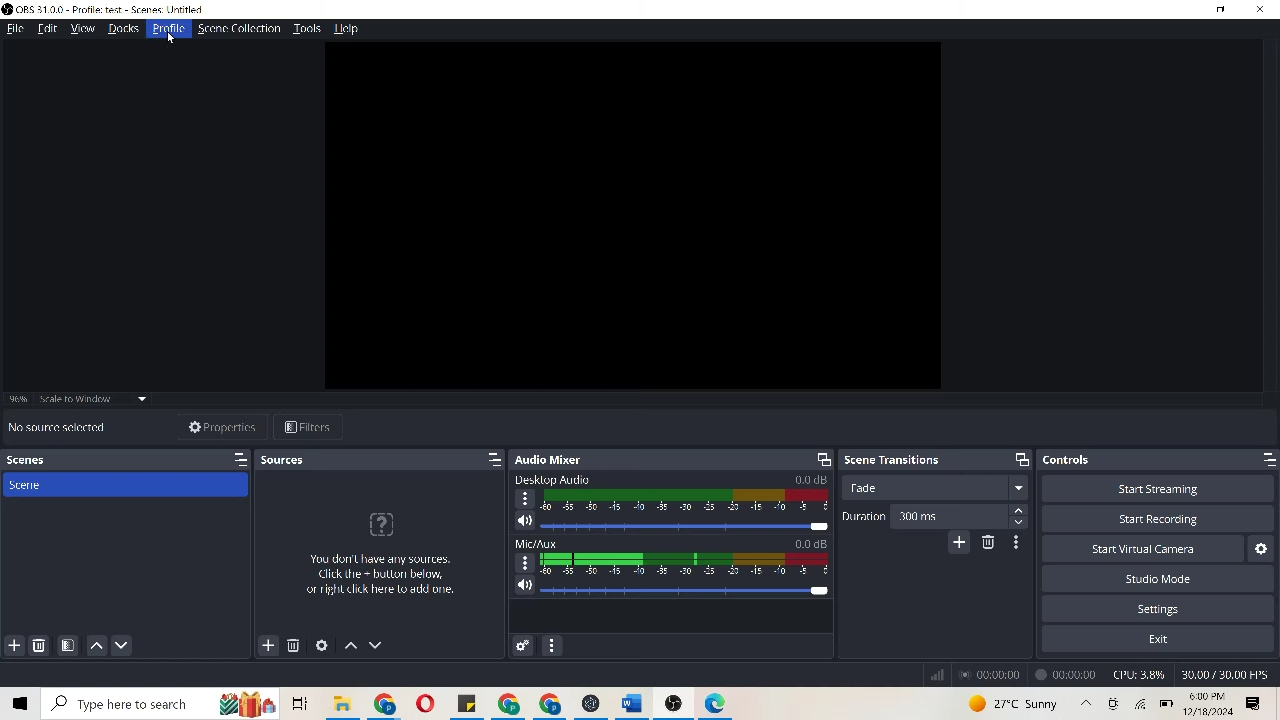 The height and width of the screenshot is (720, 1280). Describe the element at coordinates (717, 701) in the screenshot. I see `icon` at that location.